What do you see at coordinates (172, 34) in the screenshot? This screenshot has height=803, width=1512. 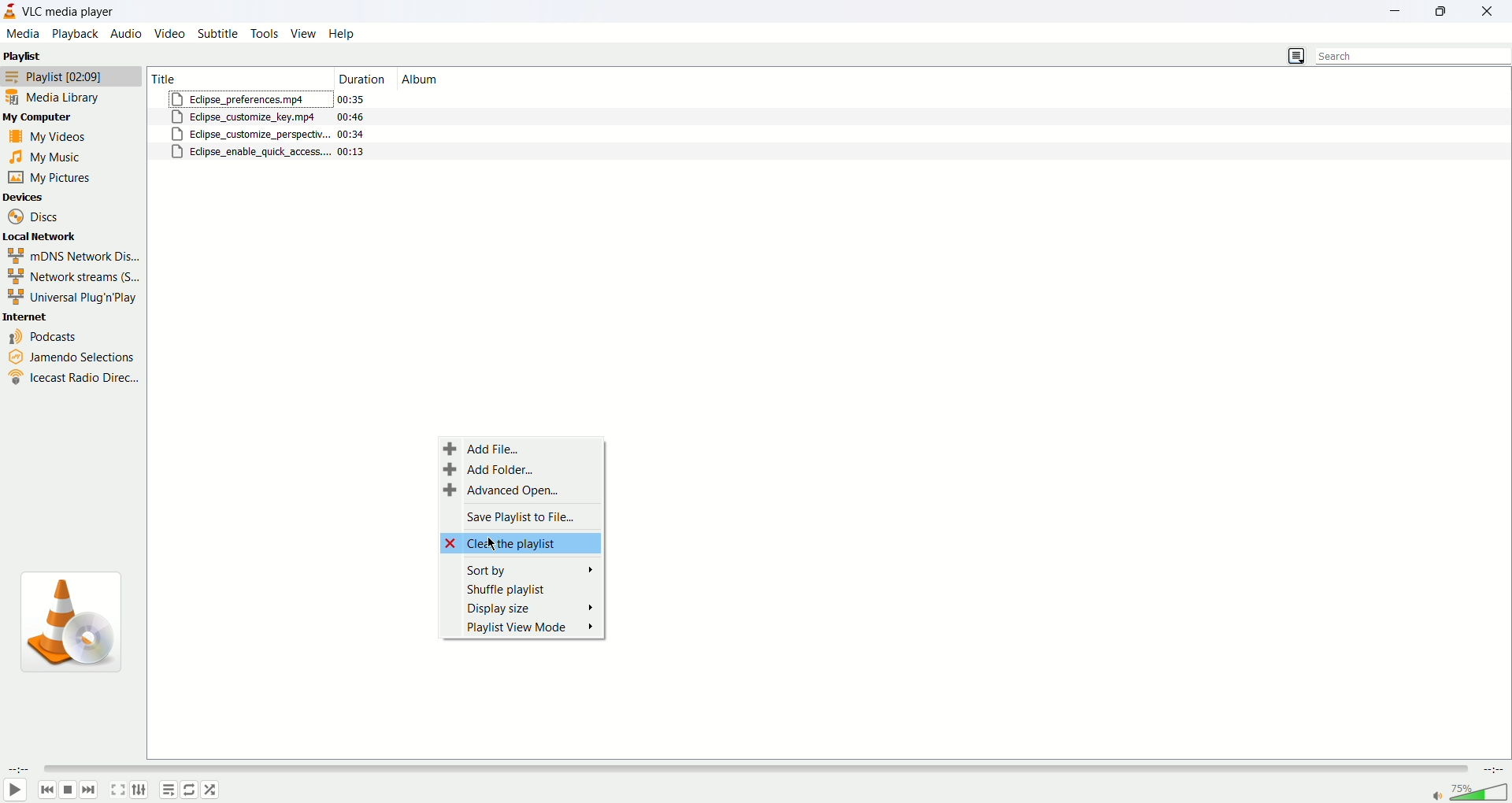 I see `video` at bounding box center [172, 34].